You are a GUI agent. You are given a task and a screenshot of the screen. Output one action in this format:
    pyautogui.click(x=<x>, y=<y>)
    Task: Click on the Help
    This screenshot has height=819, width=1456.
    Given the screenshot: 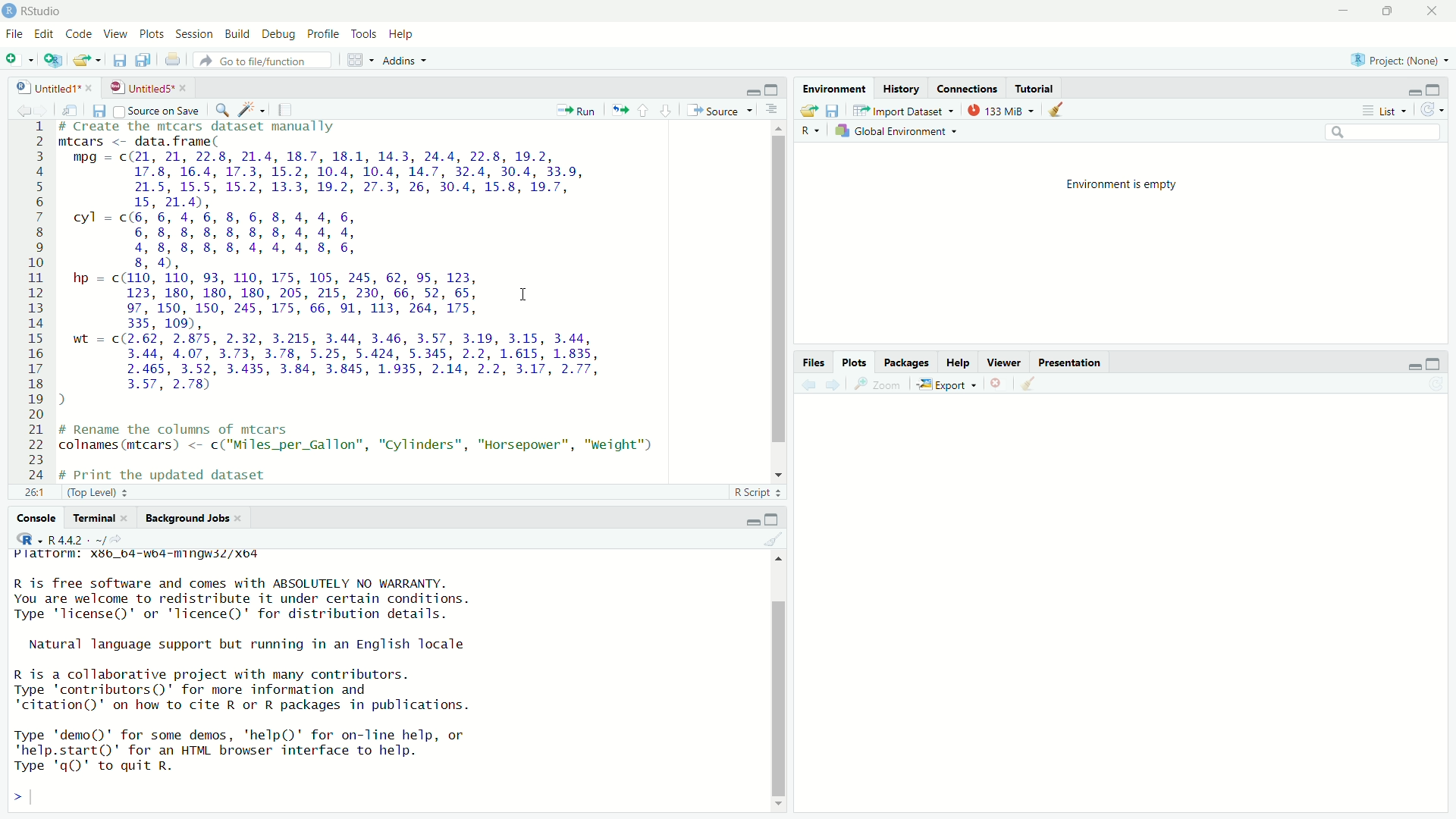 What is the action you would take?
    pyautogui.click(x=960, y=364)
    